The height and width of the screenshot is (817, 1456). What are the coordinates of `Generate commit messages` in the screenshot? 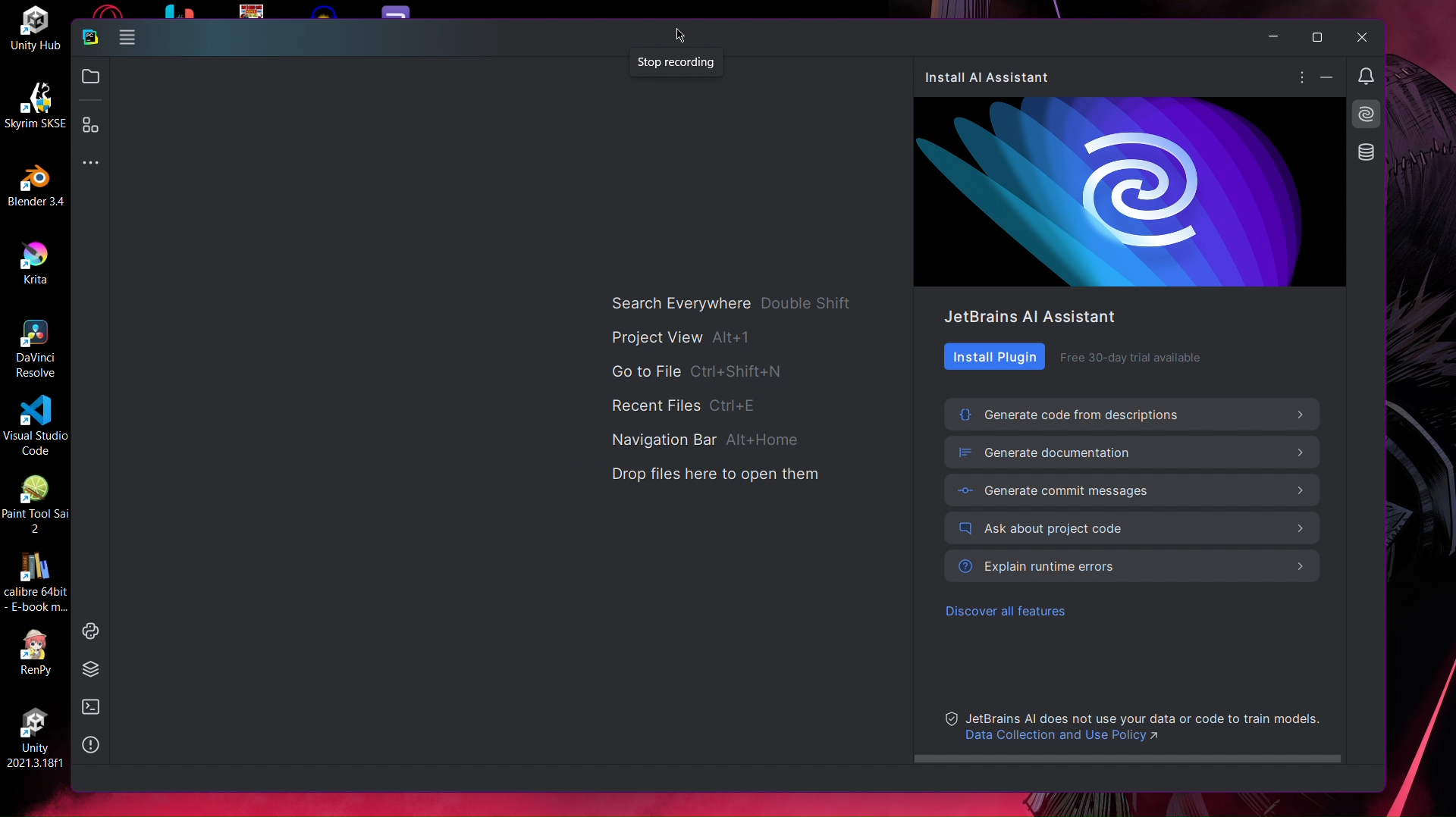 It's located at (1136, 490).